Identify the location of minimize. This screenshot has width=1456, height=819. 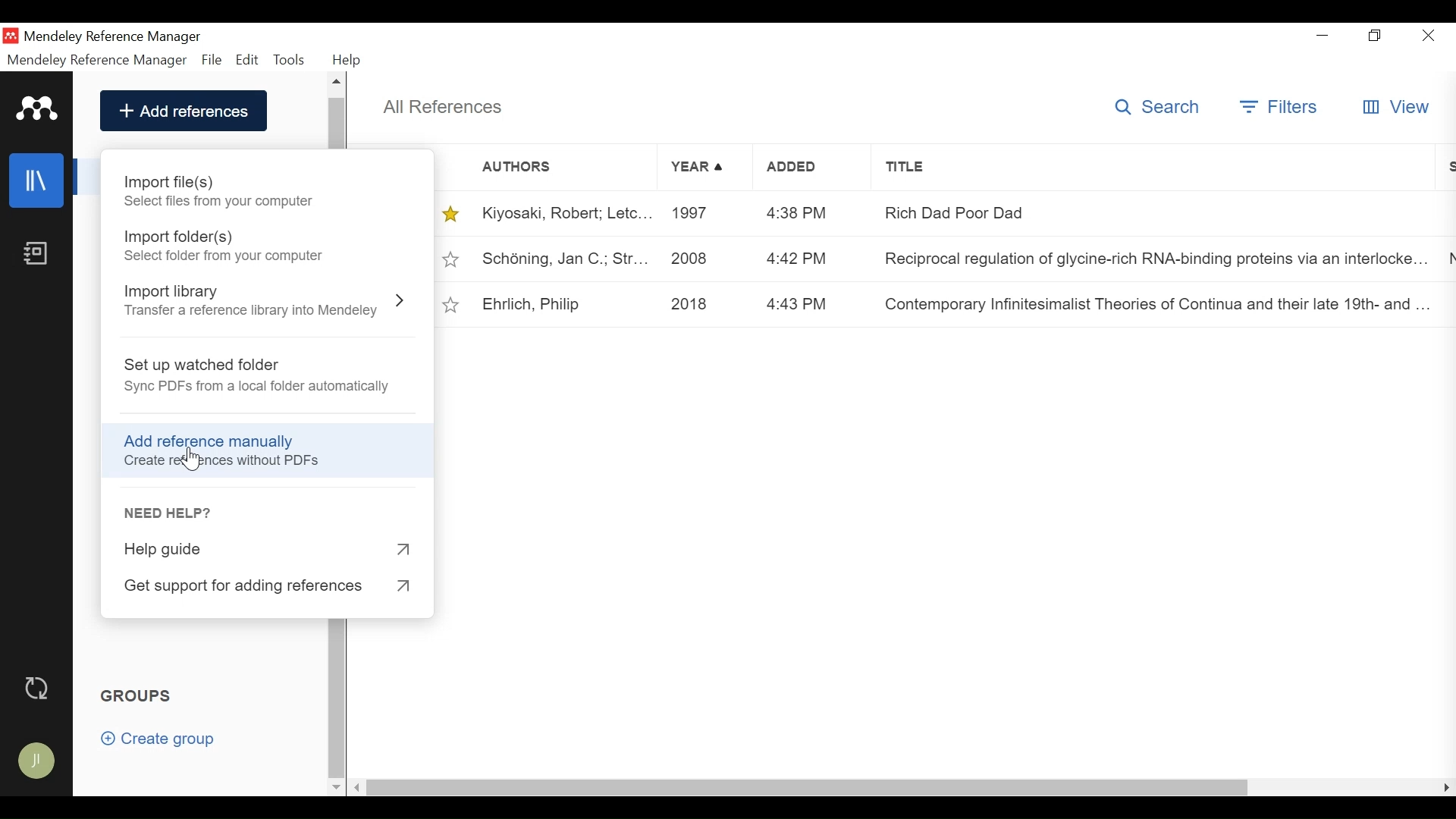
(1323, 36).